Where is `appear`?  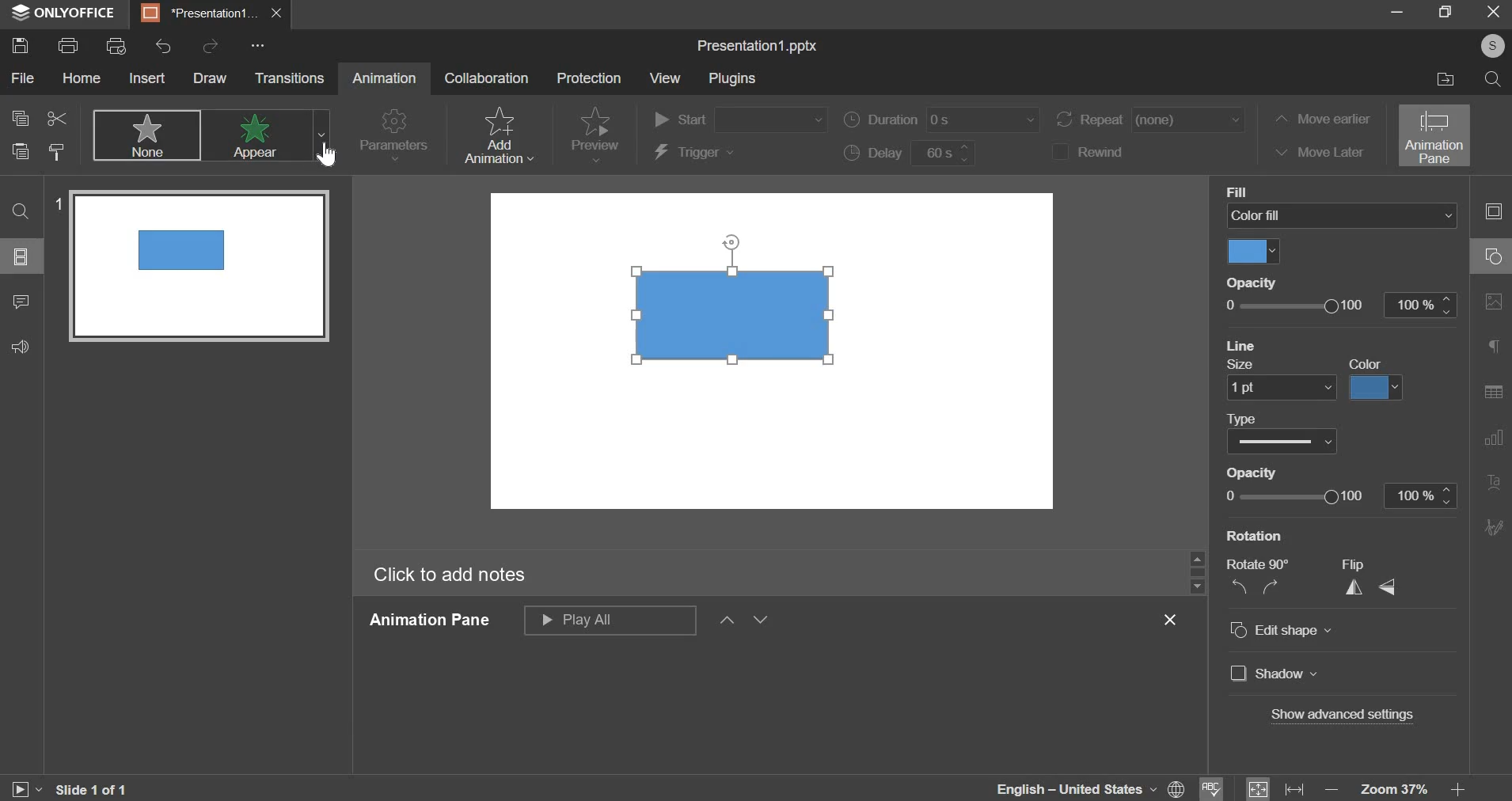 appear is located at coordinates (259, 135).